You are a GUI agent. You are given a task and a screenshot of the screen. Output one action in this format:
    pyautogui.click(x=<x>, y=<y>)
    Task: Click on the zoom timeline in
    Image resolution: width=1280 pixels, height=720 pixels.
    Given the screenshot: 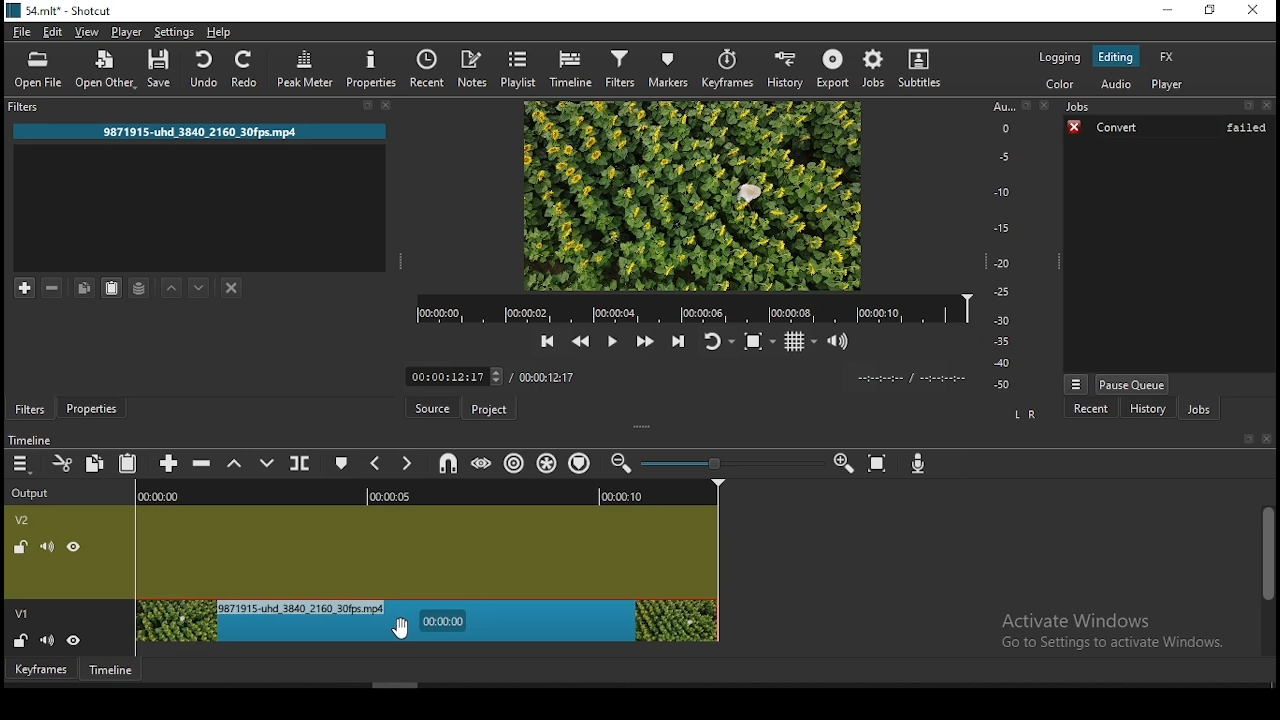 What is the action you would take?
    pyautogui.click(x=620, y=466)
    